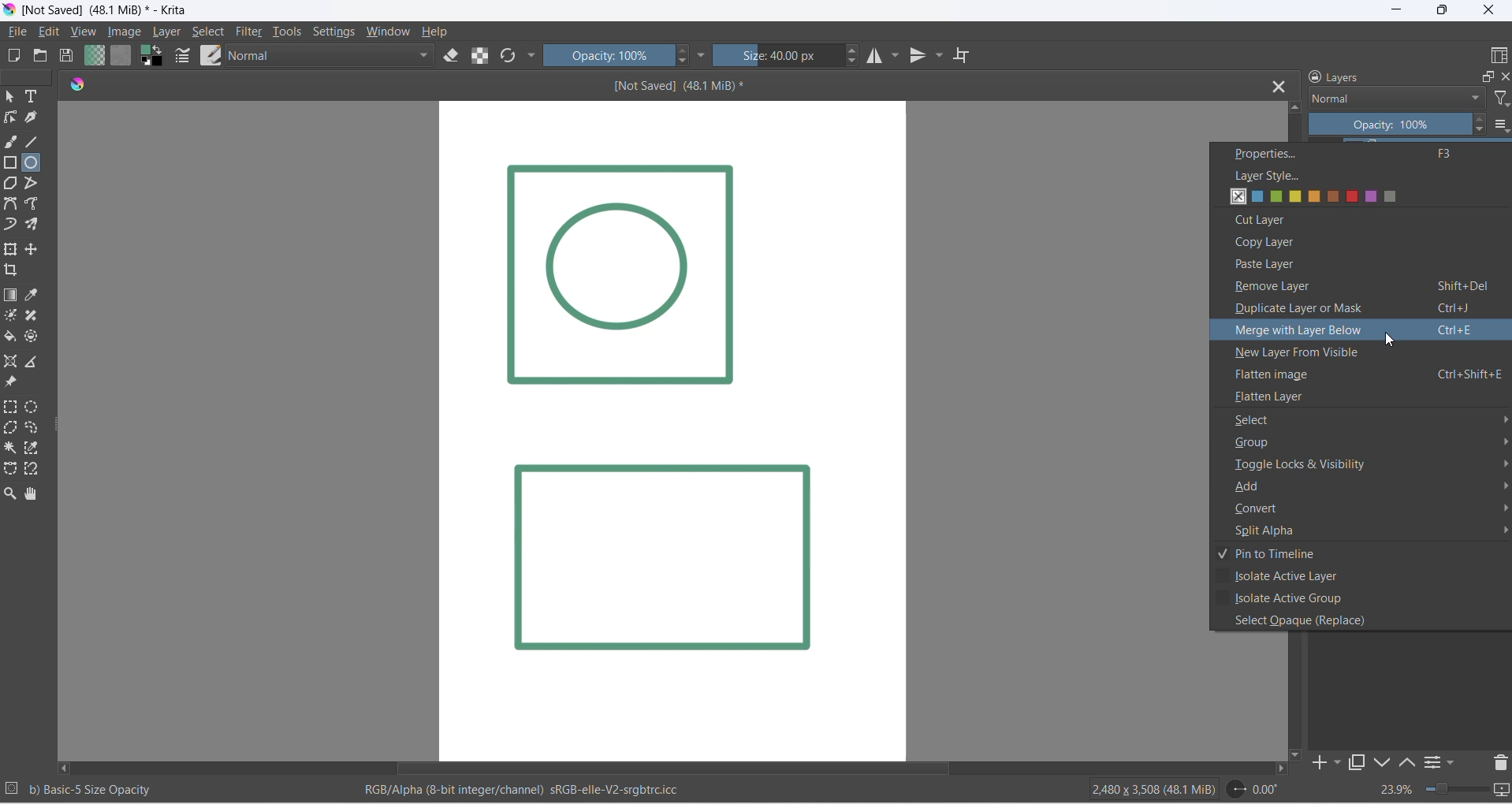  Describe the element at coordinates (1386, 340) in the screenshot. I see `cursor` at that location.